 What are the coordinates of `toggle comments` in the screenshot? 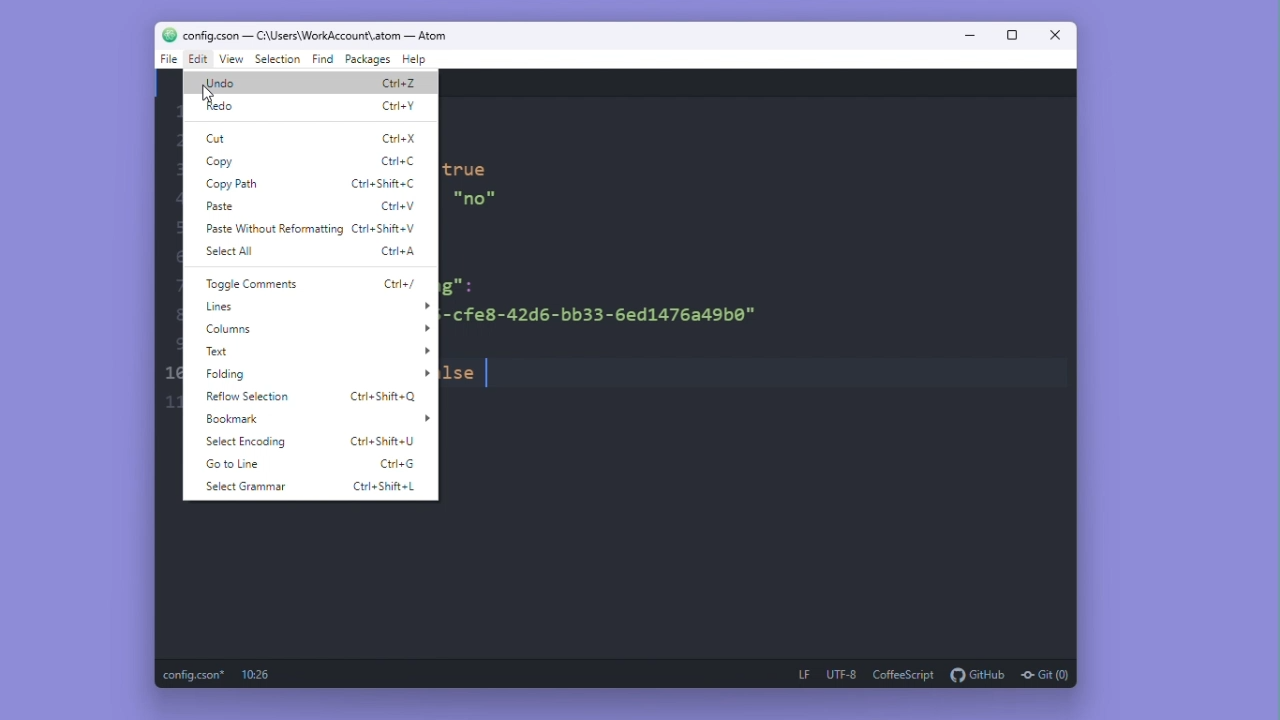 It's located at (248, 285).